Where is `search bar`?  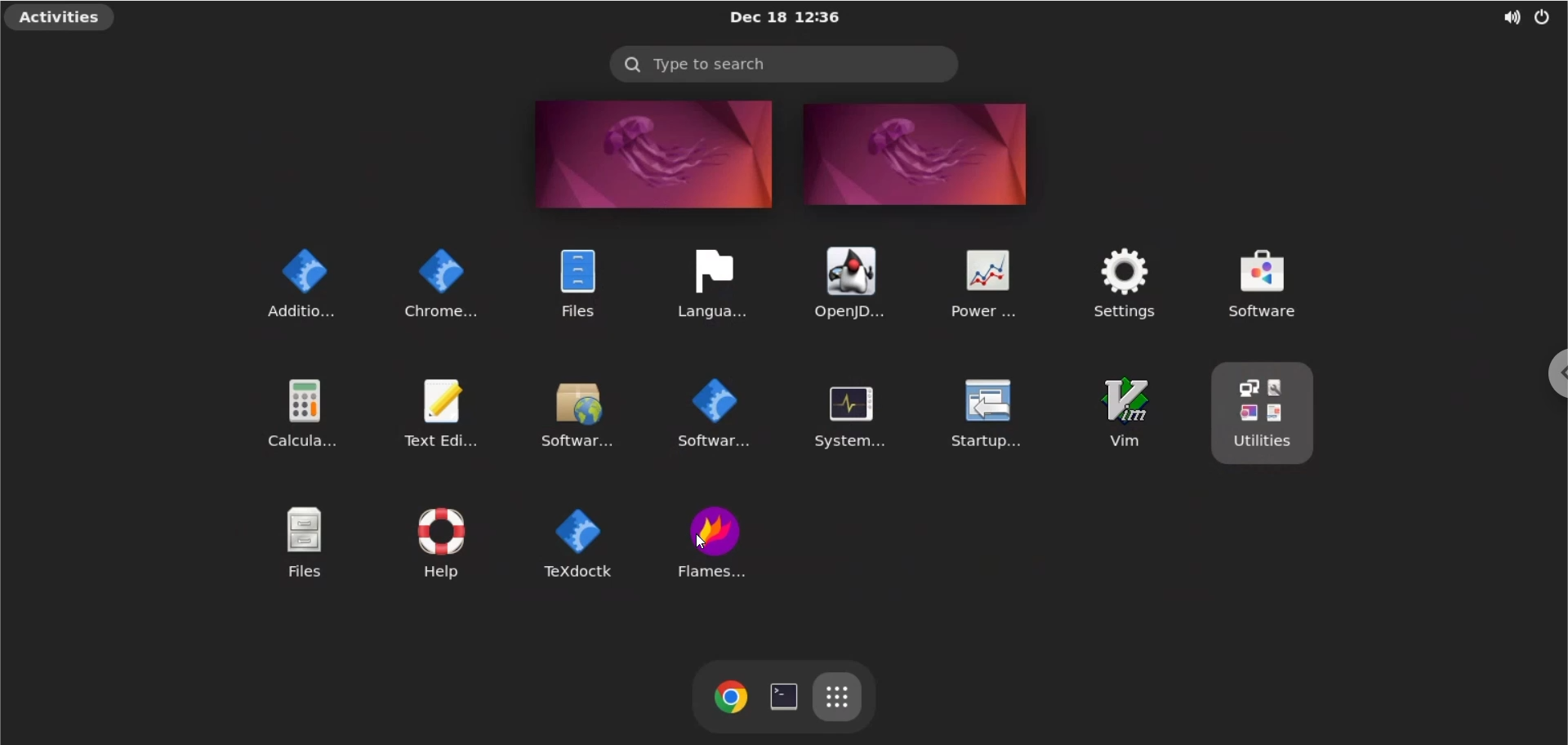
search bar is located at coordinates (783, 64).